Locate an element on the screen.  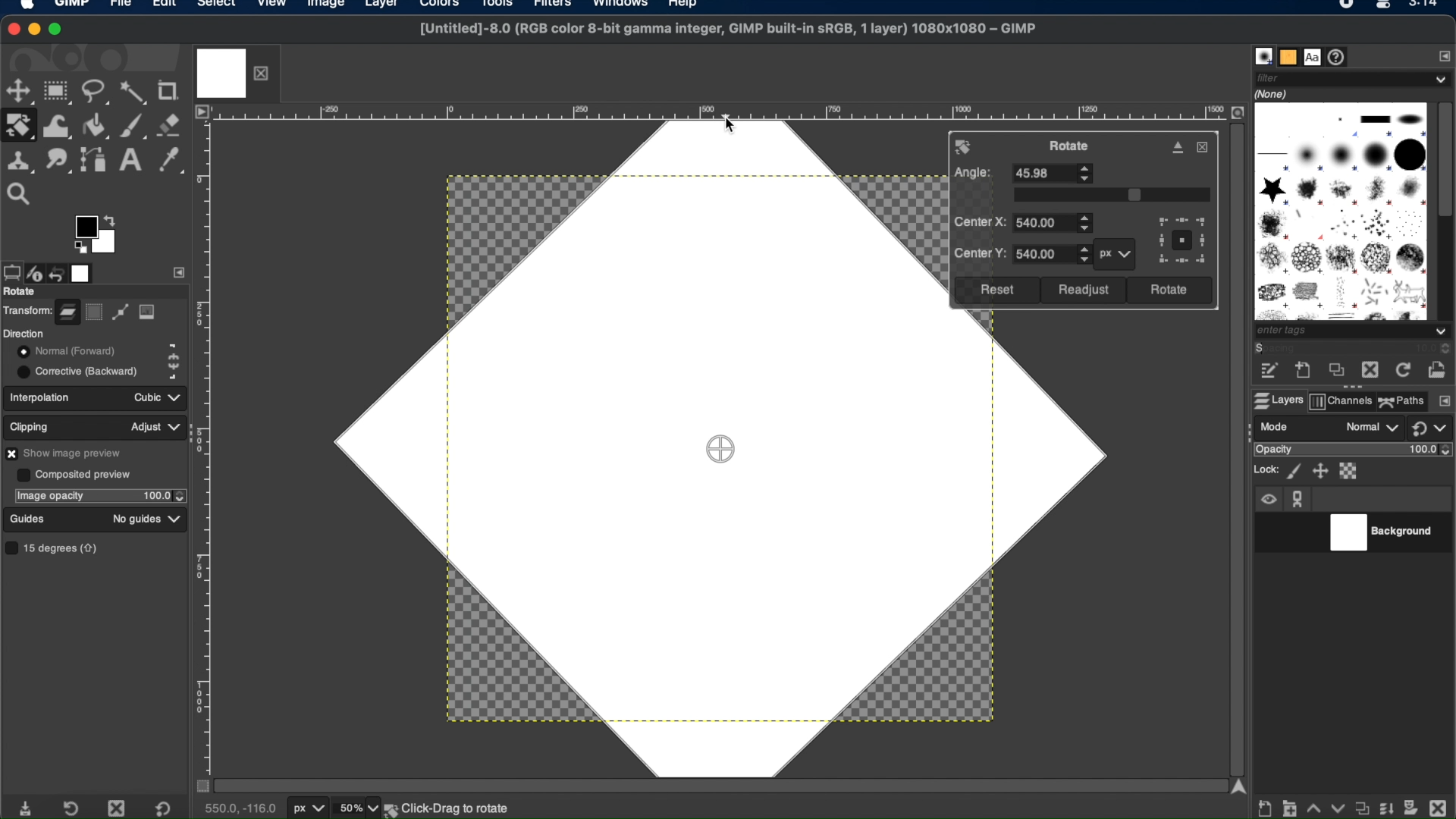
units of measurement is located at coordinates (310, 809).